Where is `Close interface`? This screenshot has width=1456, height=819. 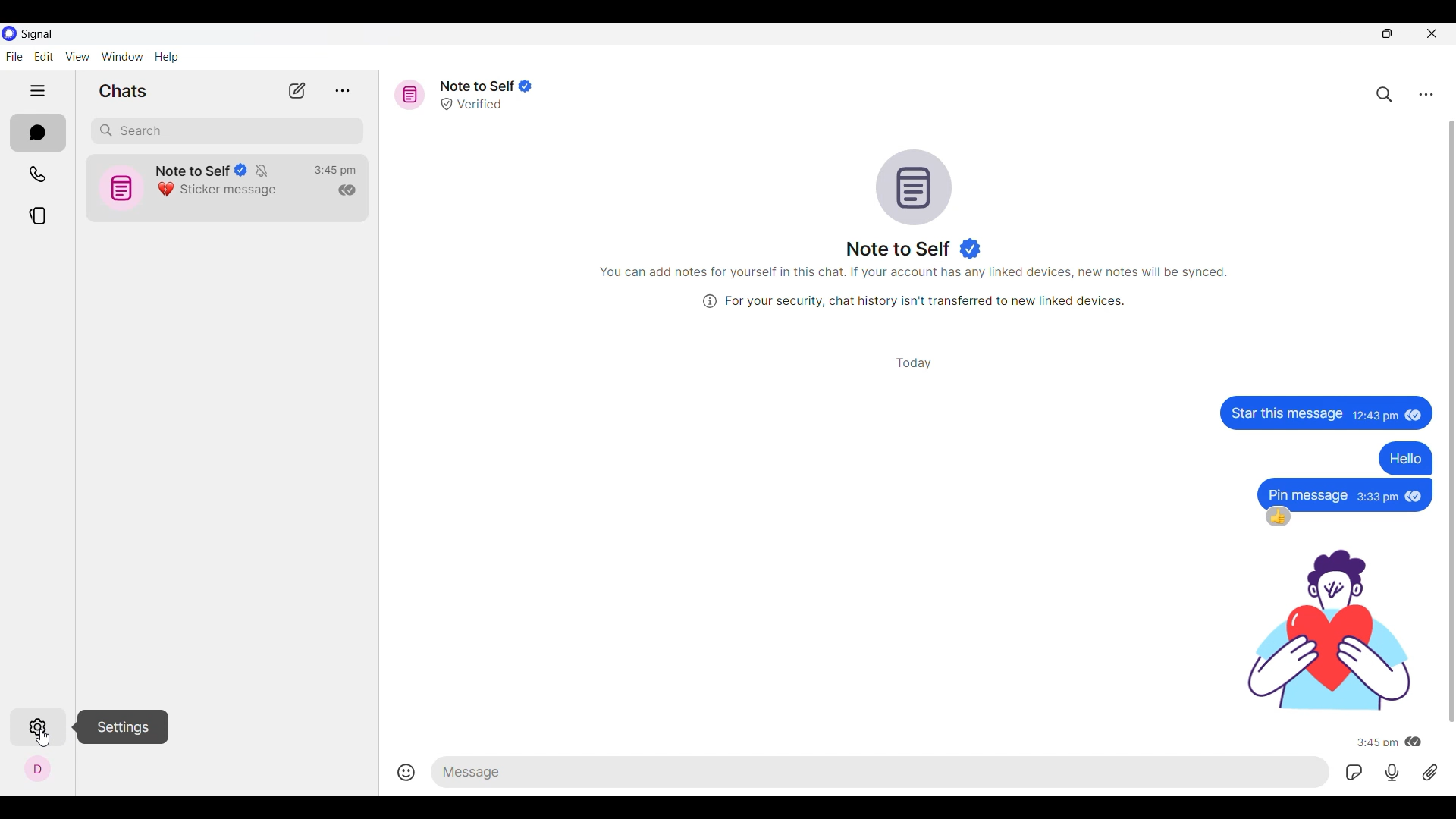 Close interface is located at coordinates (1432, 33).